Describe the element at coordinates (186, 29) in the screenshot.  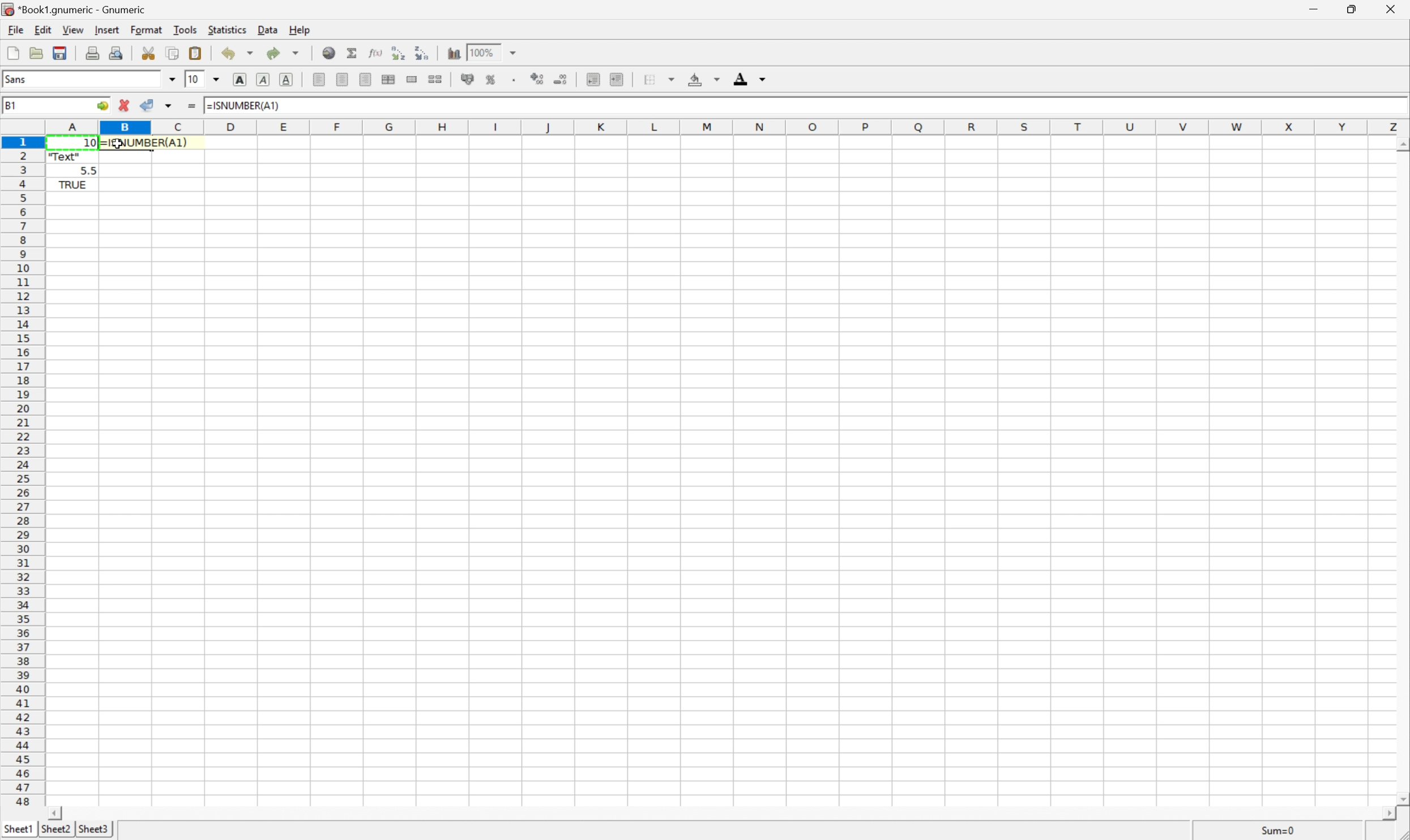
I see `Tools` at that location.